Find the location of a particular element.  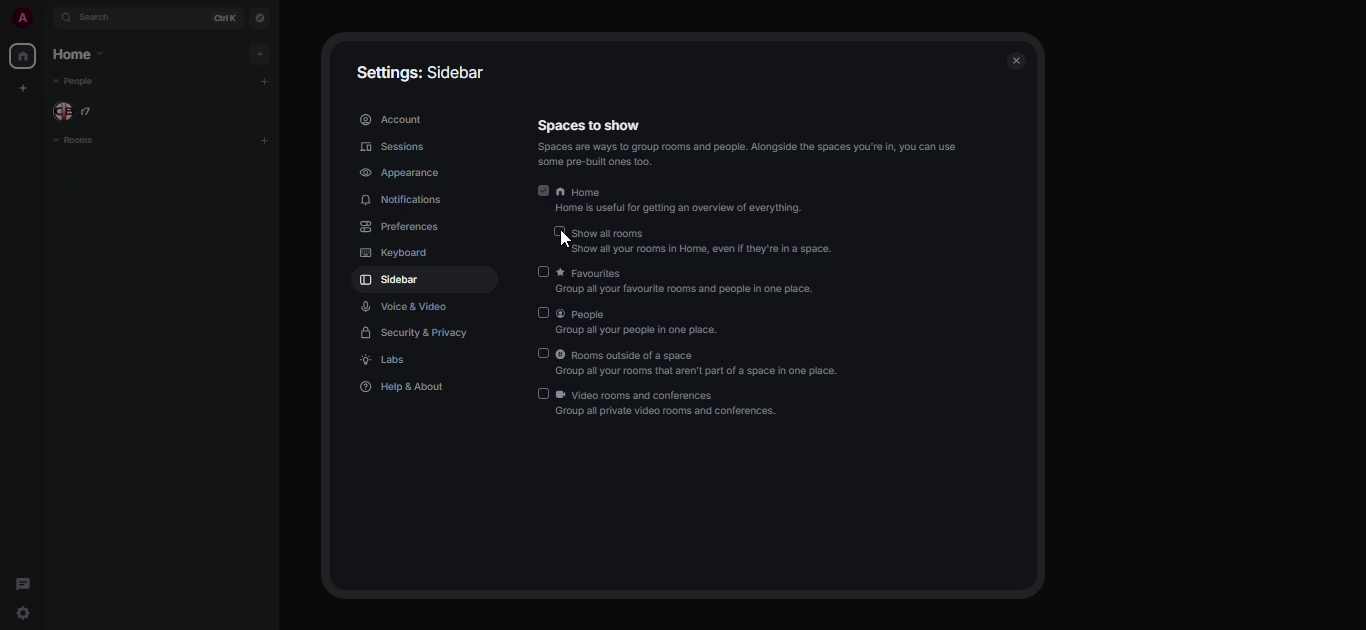

people is located at coordinates (641, 322).